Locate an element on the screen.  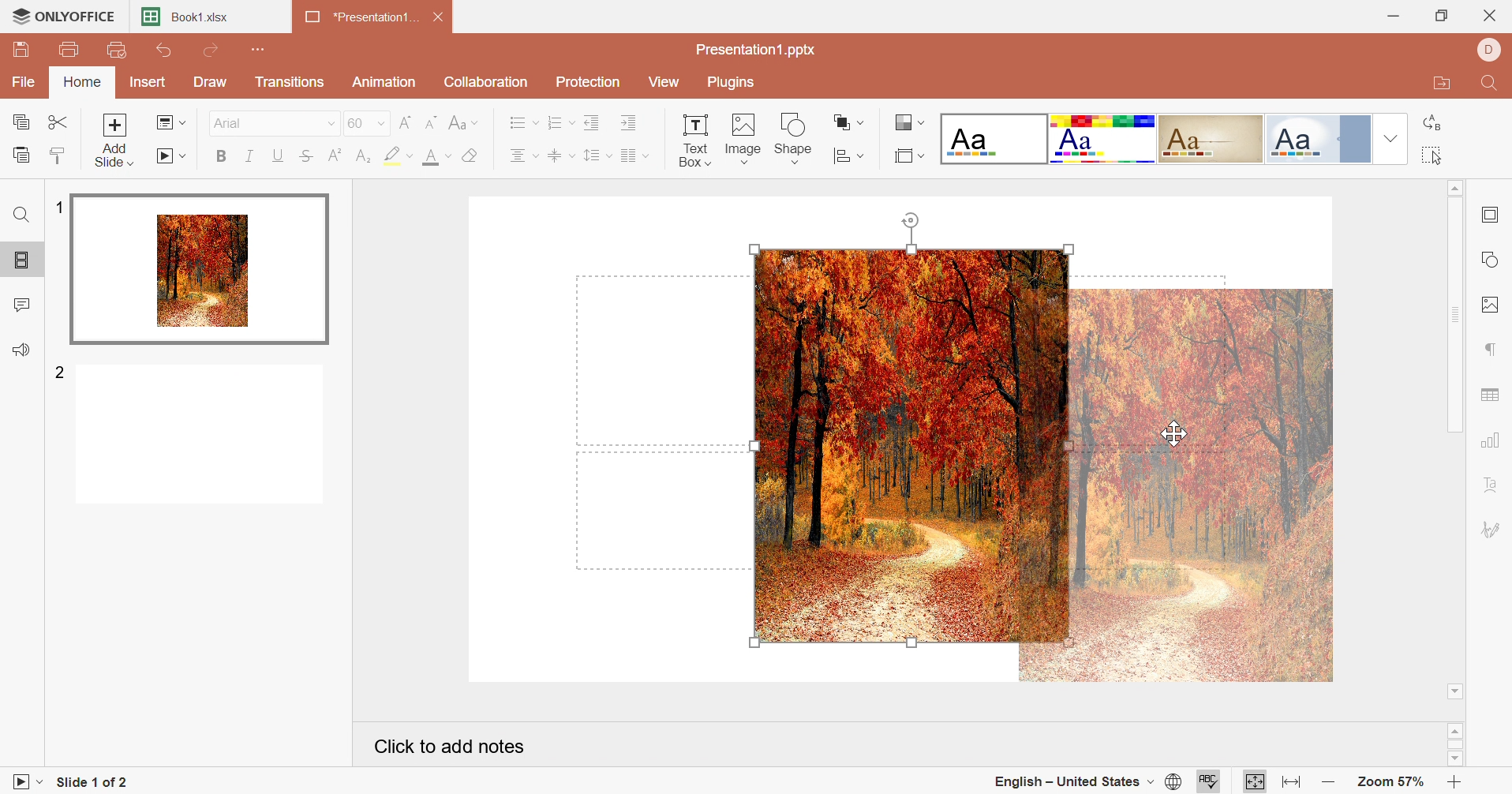
Change slide layout is located at coordinates (173, 124).